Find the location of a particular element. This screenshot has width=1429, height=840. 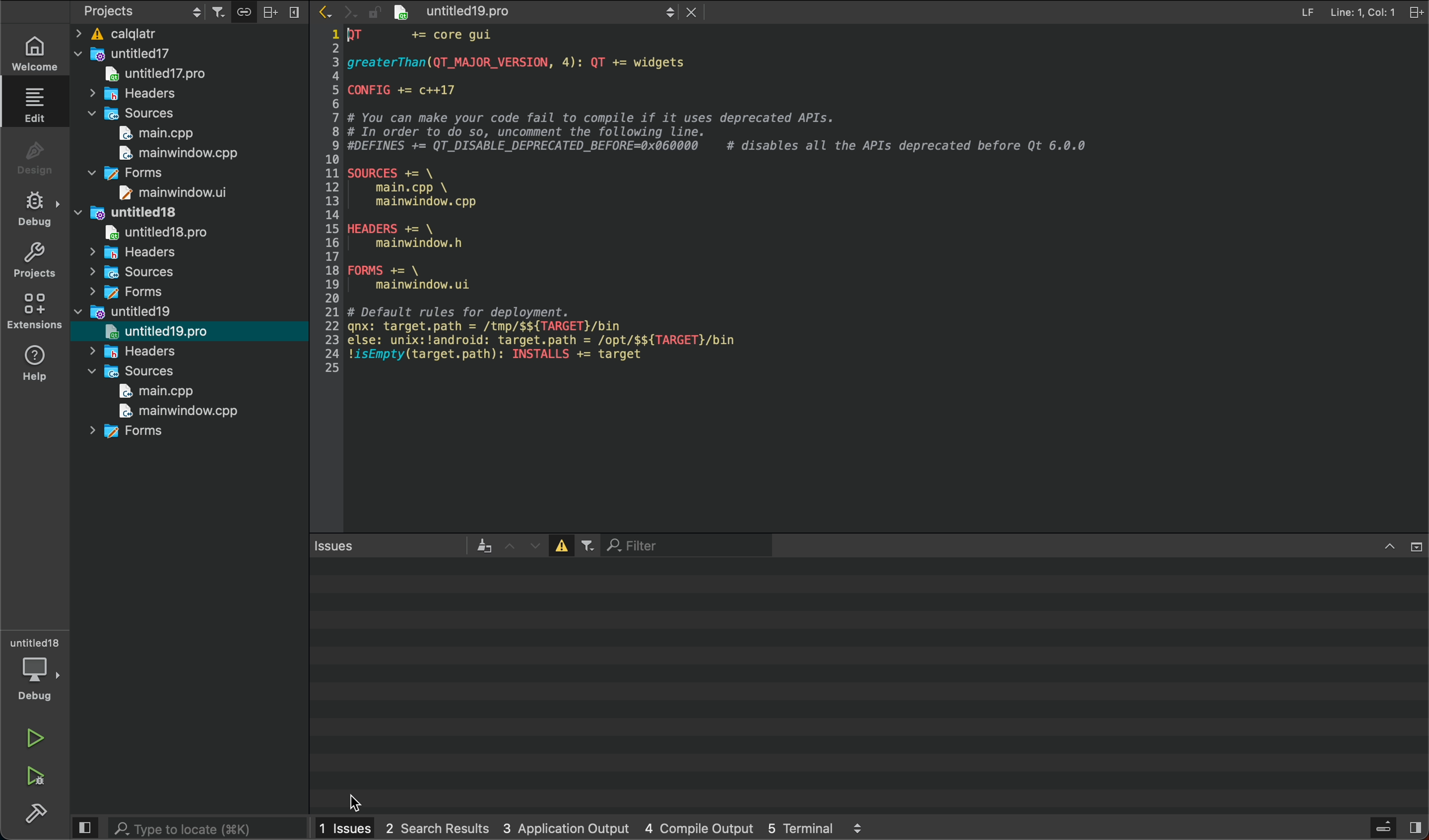

 is located at coordinates (587, 546).